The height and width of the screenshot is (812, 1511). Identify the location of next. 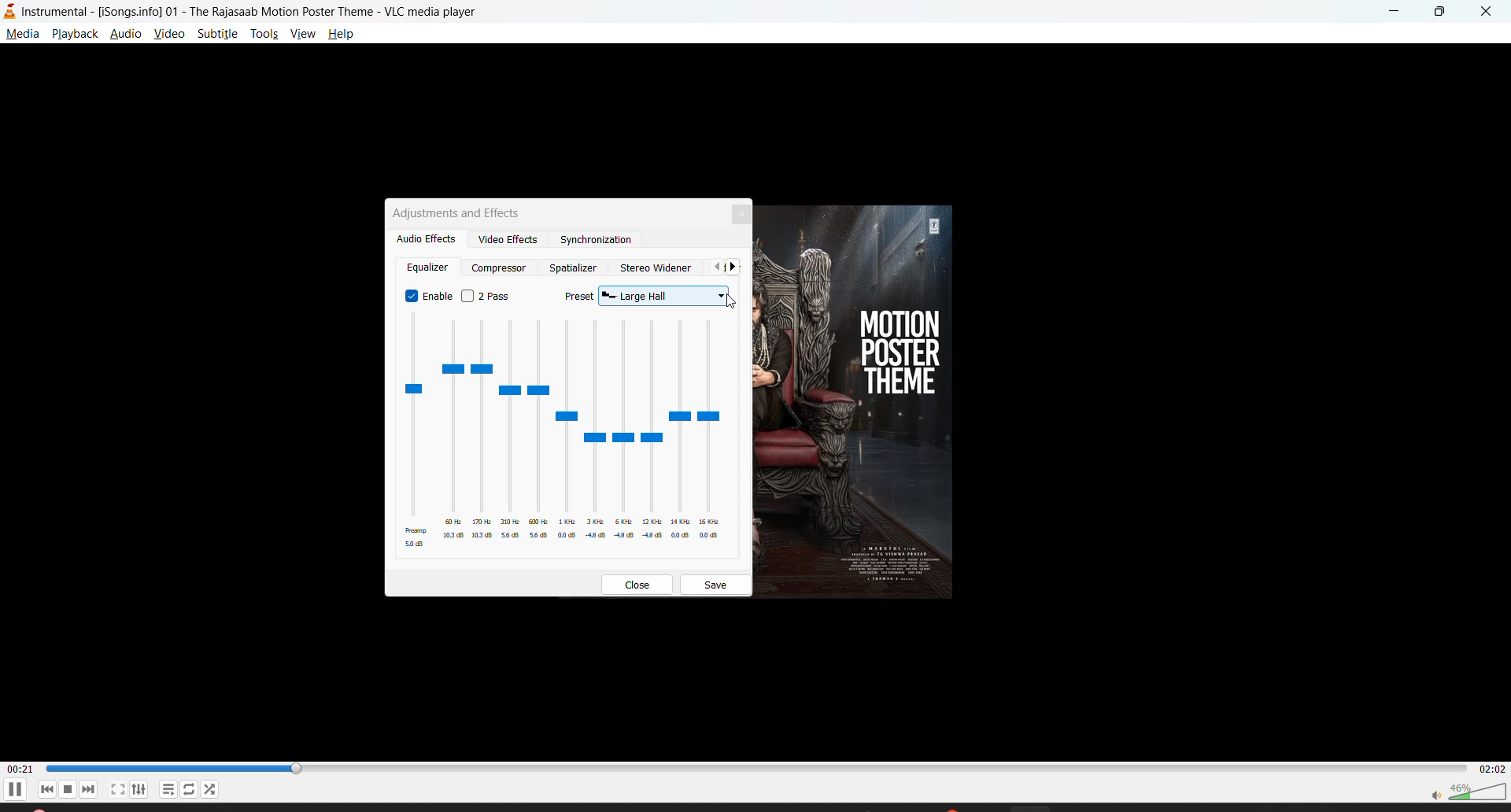
(92, 790).